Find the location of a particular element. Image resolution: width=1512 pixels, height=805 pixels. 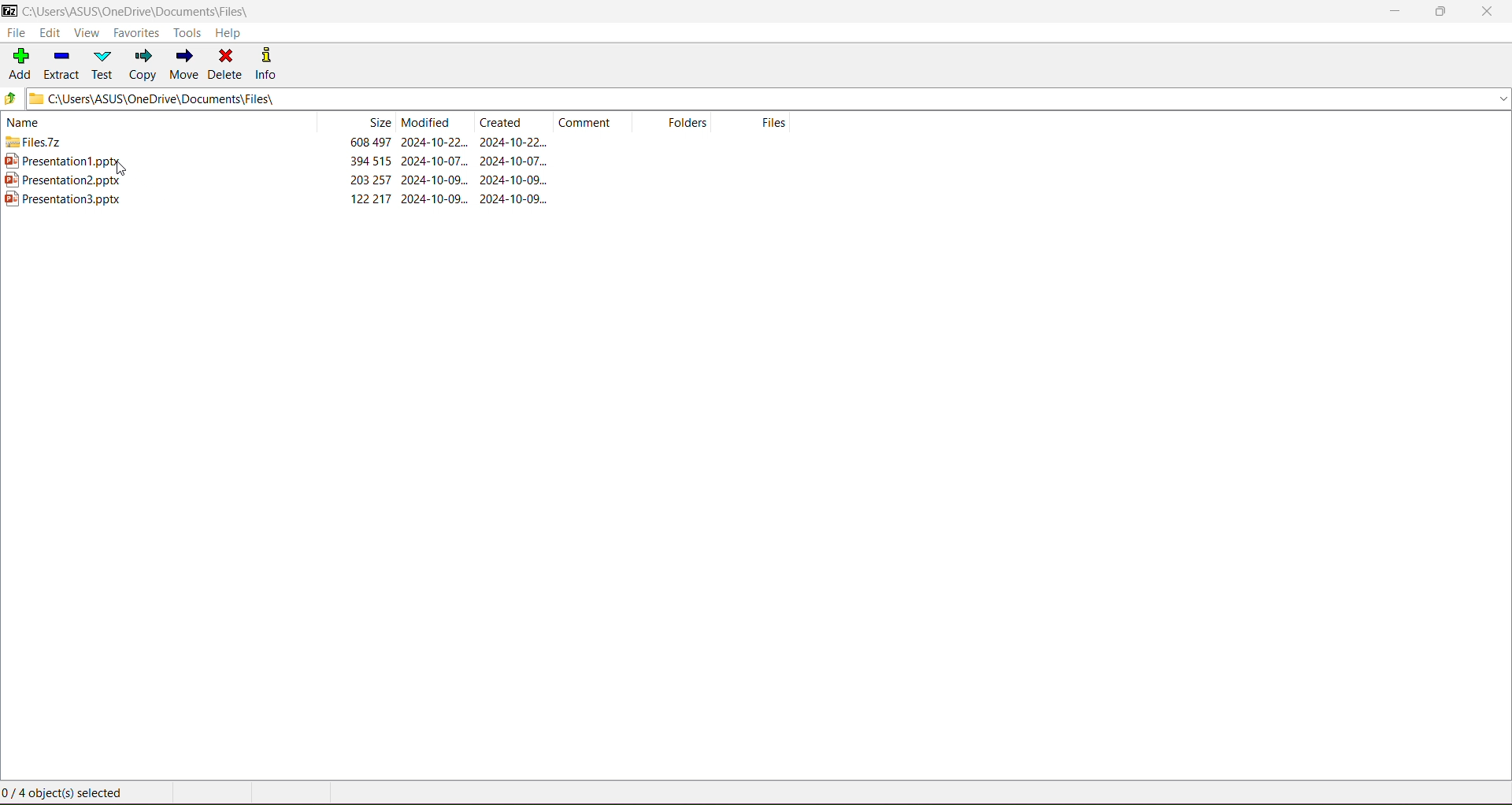

created is located at coordinates (501, 122).